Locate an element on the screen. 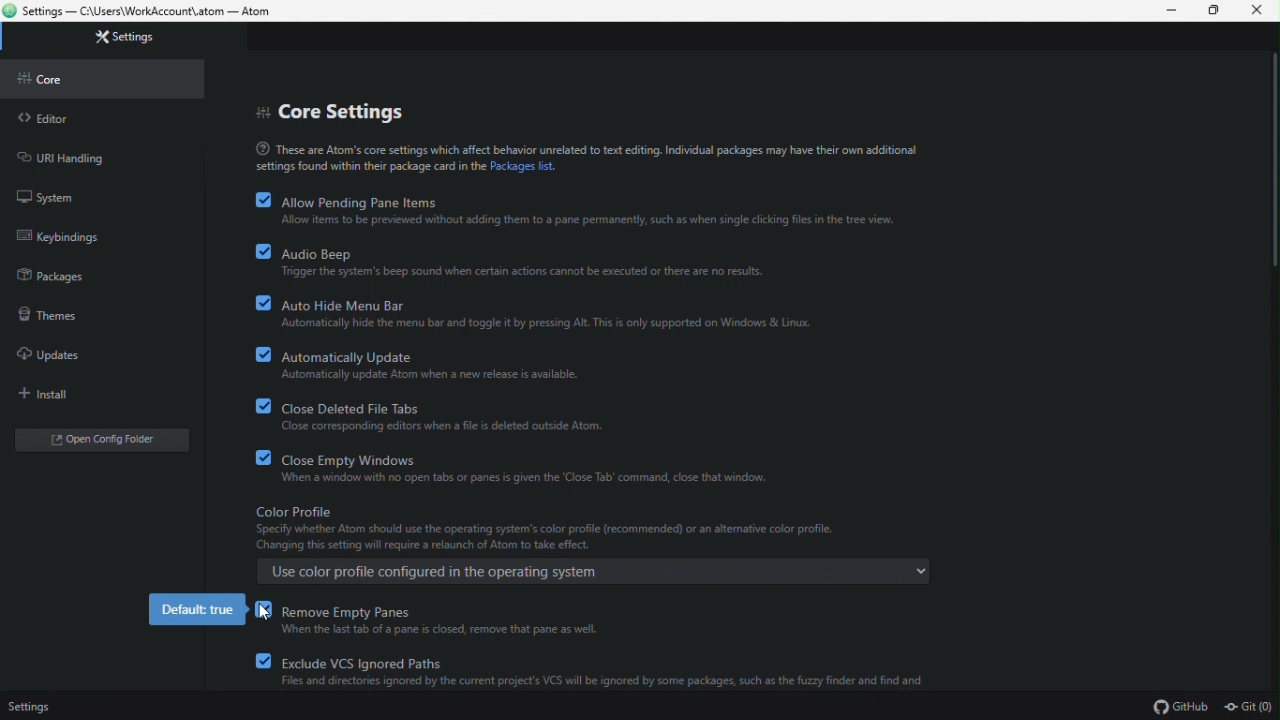 Image resolution: width=1280 pixels, height=720 pixels. checkbox is located at coordinates (263, 661).